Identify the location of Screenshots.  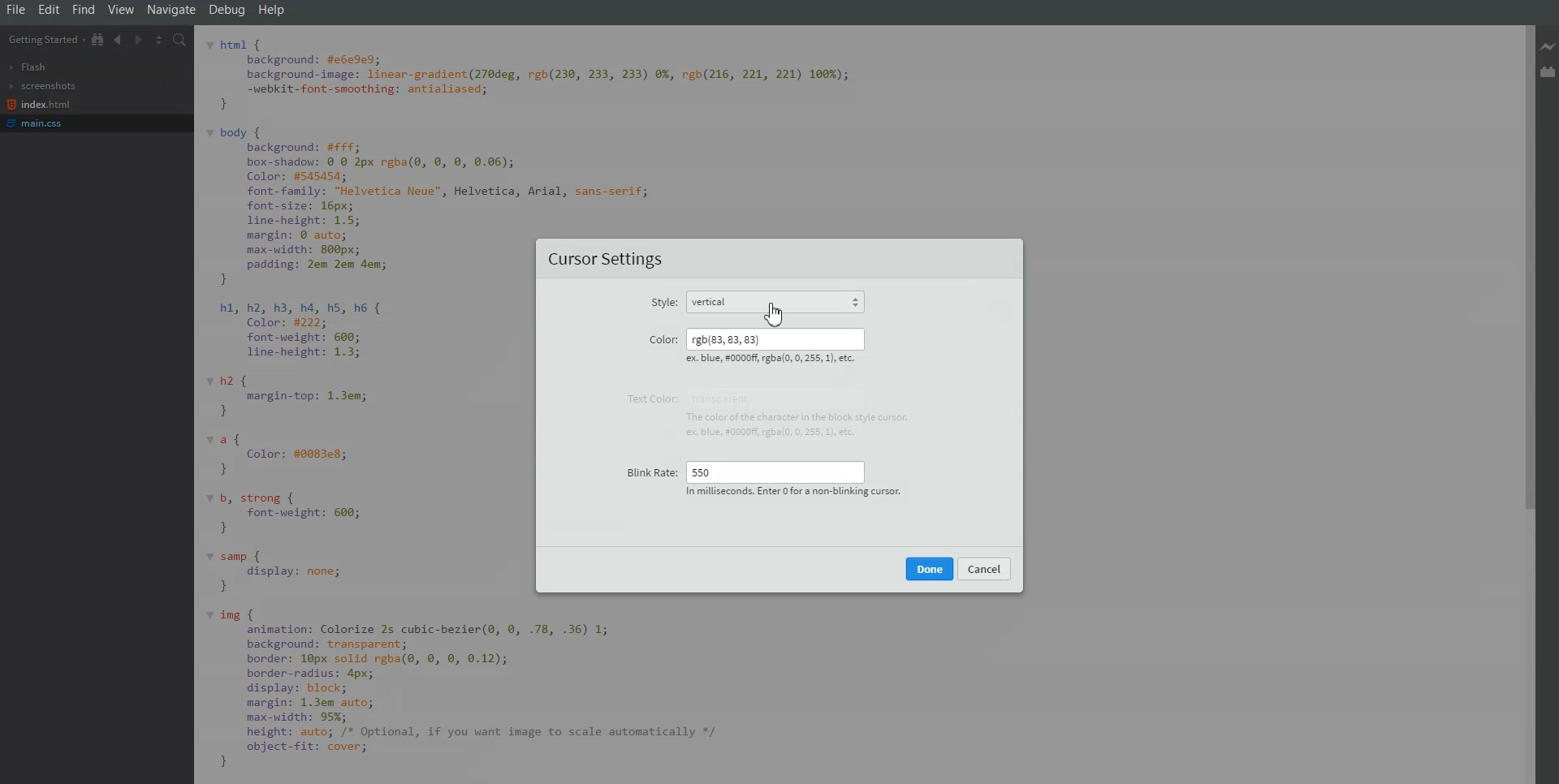
(42, 86).